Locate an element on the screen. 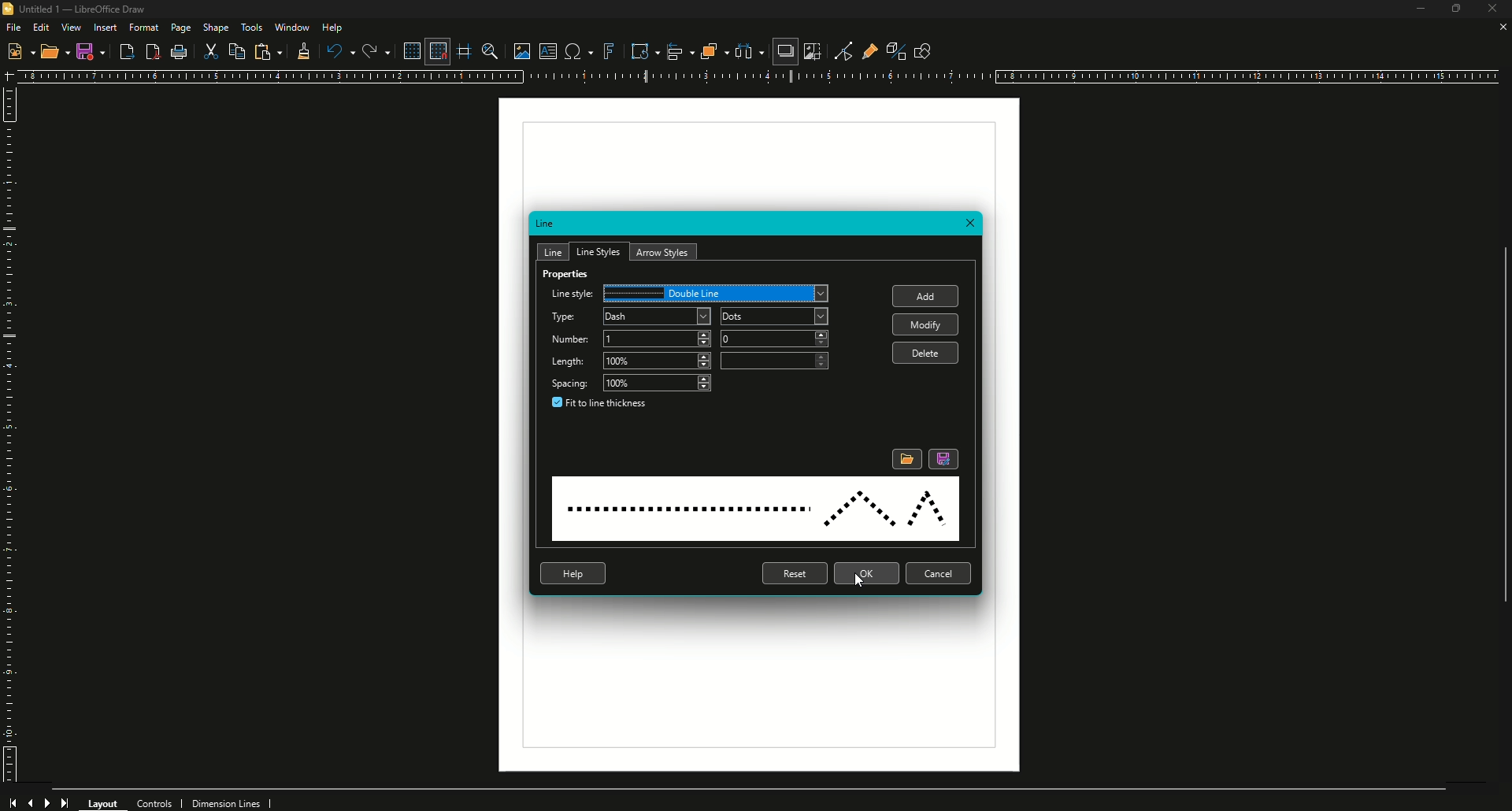  Insert Image is located at coordinates (517, 49).